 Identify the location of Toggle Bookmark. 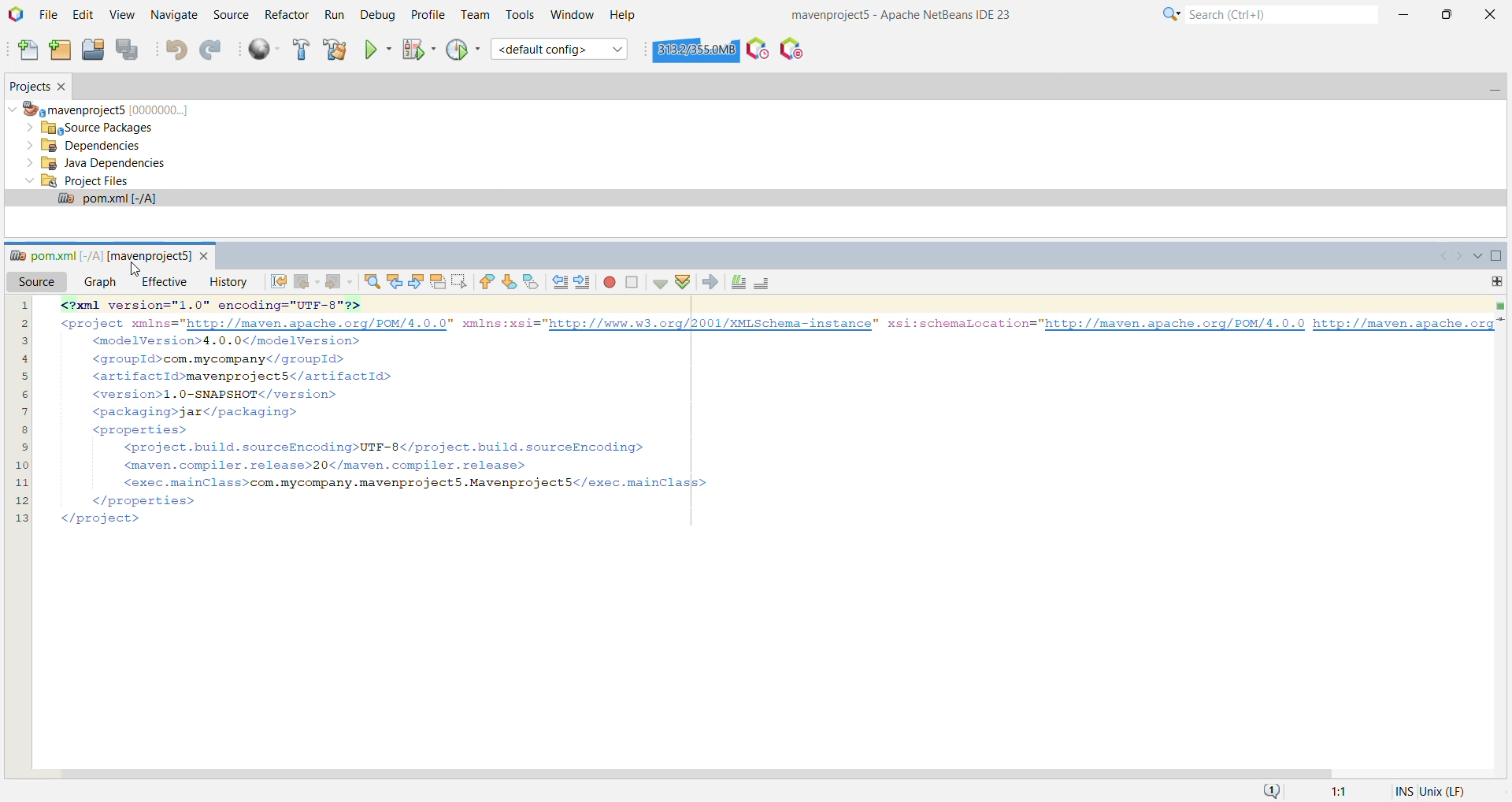
(532, 283).